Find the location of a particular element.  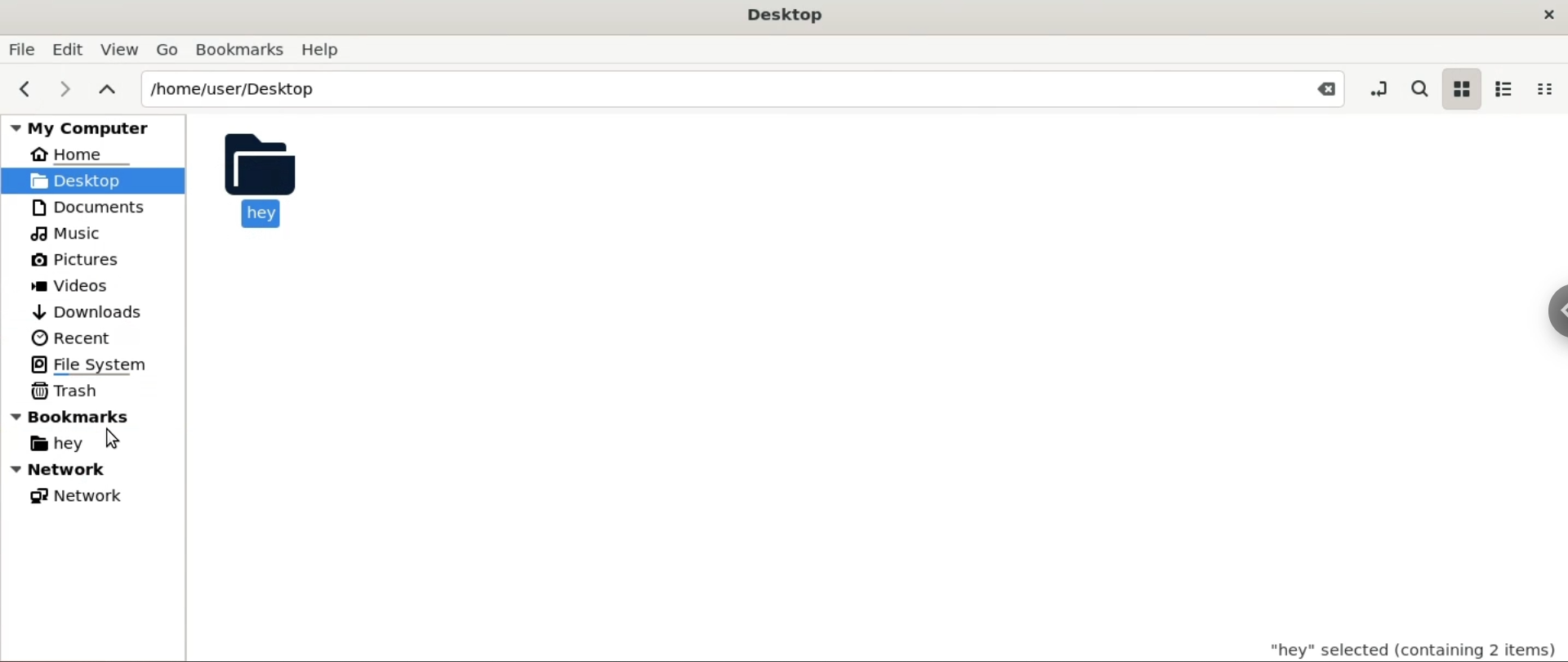

Cursor is located at coordinates (109, 441).